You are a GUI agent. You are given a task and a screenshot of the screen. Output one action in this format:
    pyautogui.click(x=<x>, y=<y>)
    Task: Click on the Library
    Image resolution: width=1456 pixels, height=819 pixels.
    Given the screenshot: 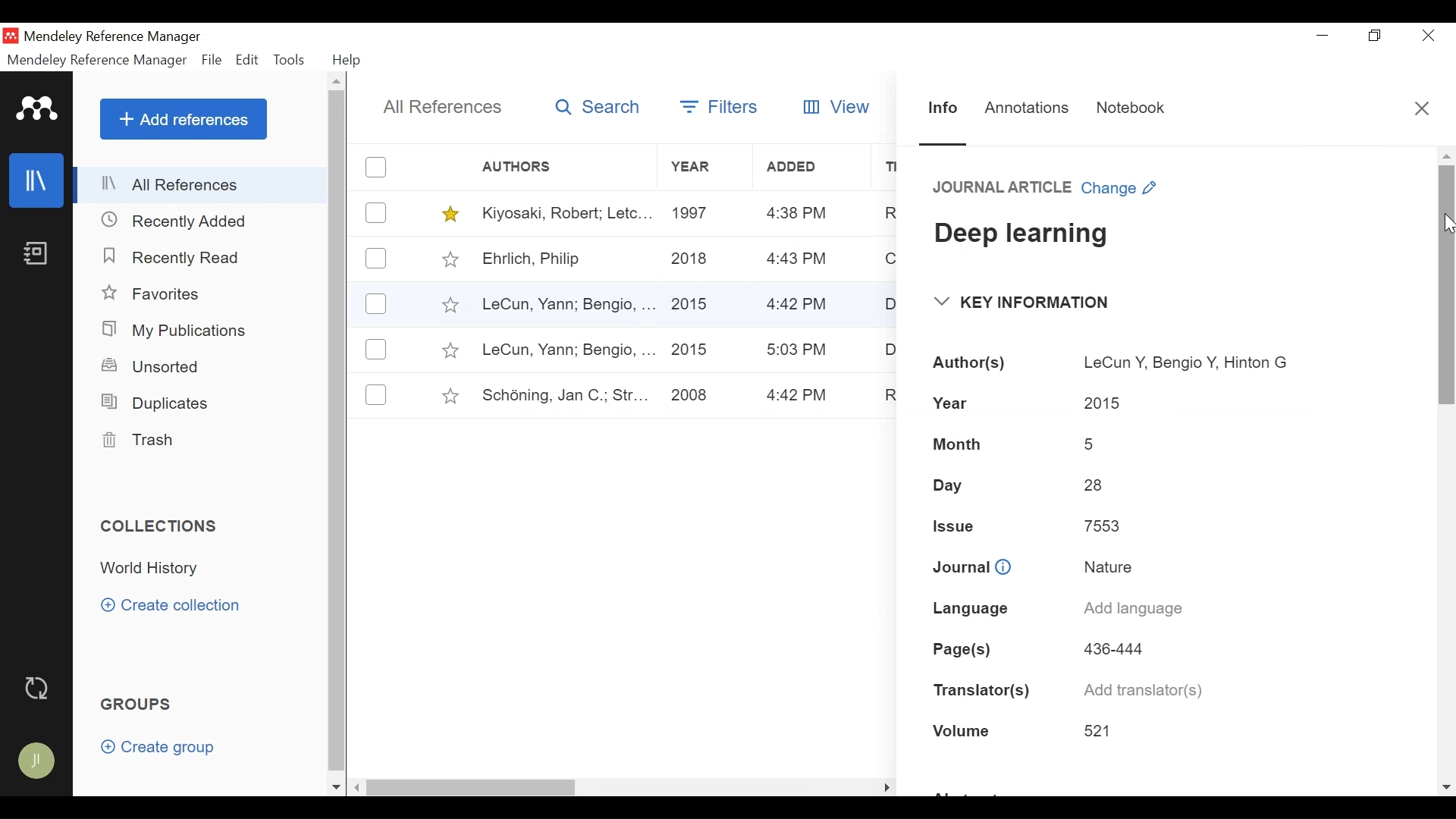 What is the action you would take?
    pyautogui.click(x=38, y=180)
    